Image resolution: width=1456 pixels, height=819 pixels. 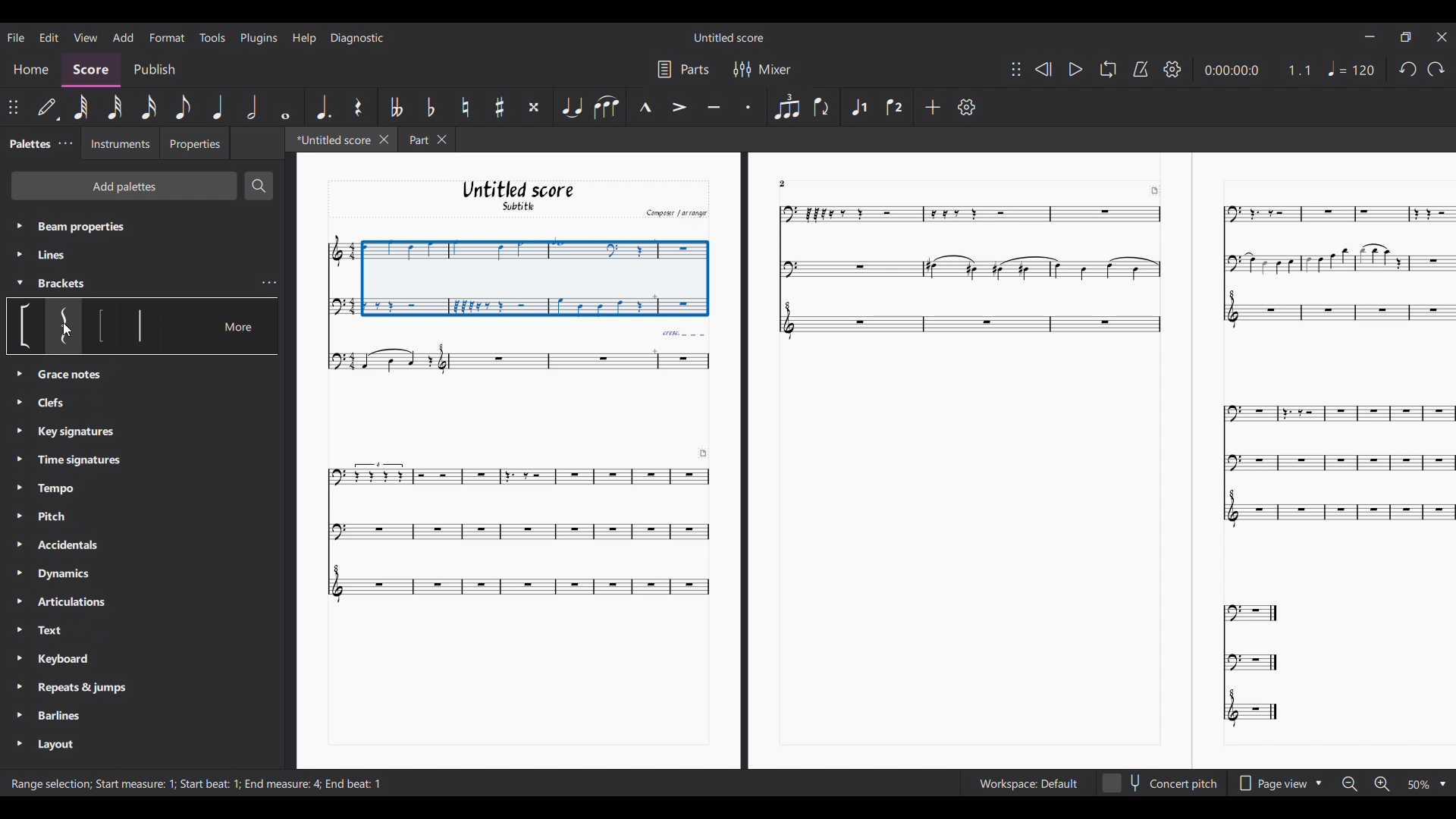 What do you see at coordinates (17, 543) in the screenshot?
I see `` at bounding box center [17, 543].